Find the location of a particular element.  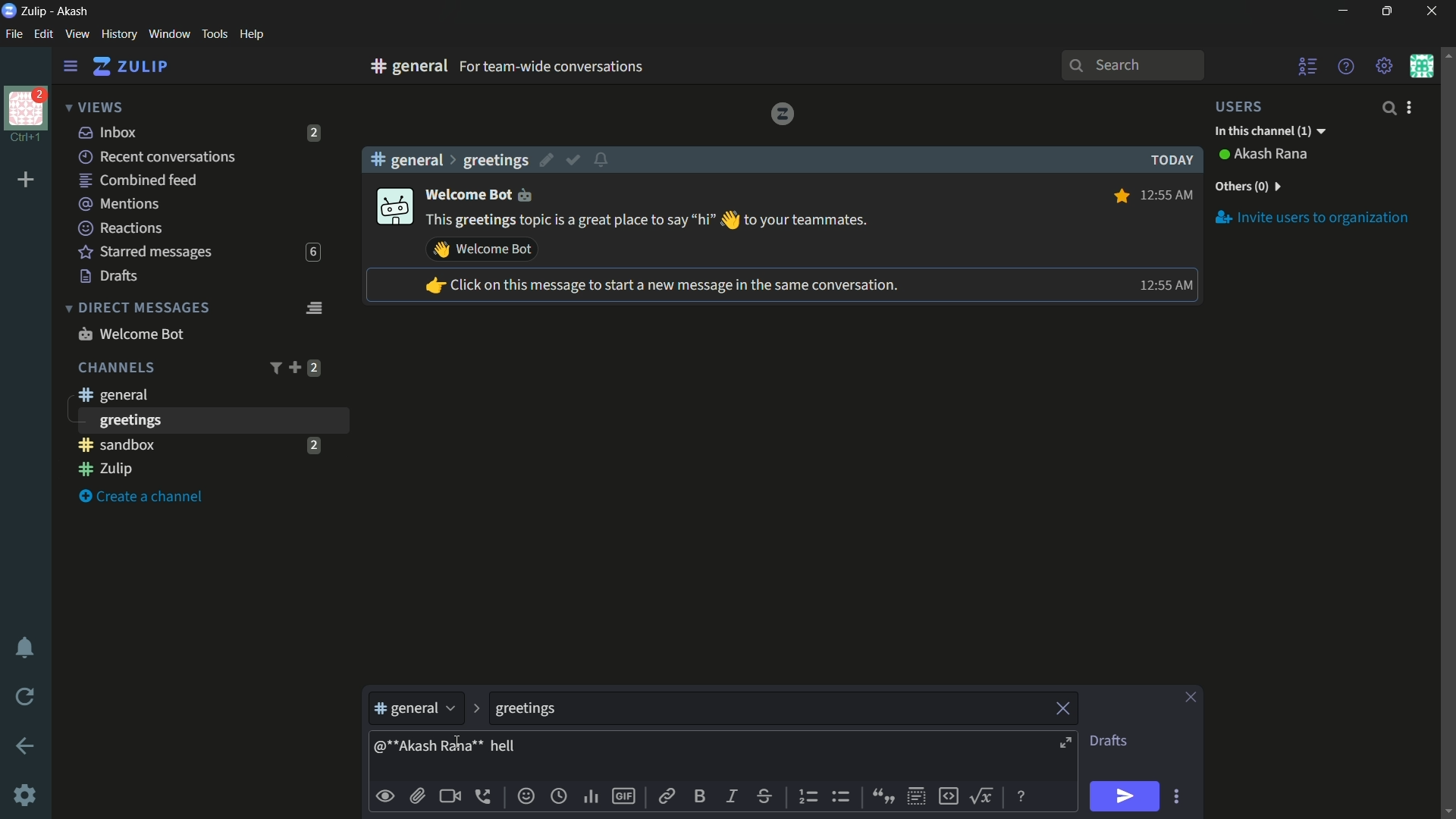

Click on this message to start a new message in the same conversation is located at coordinates (661, 287).